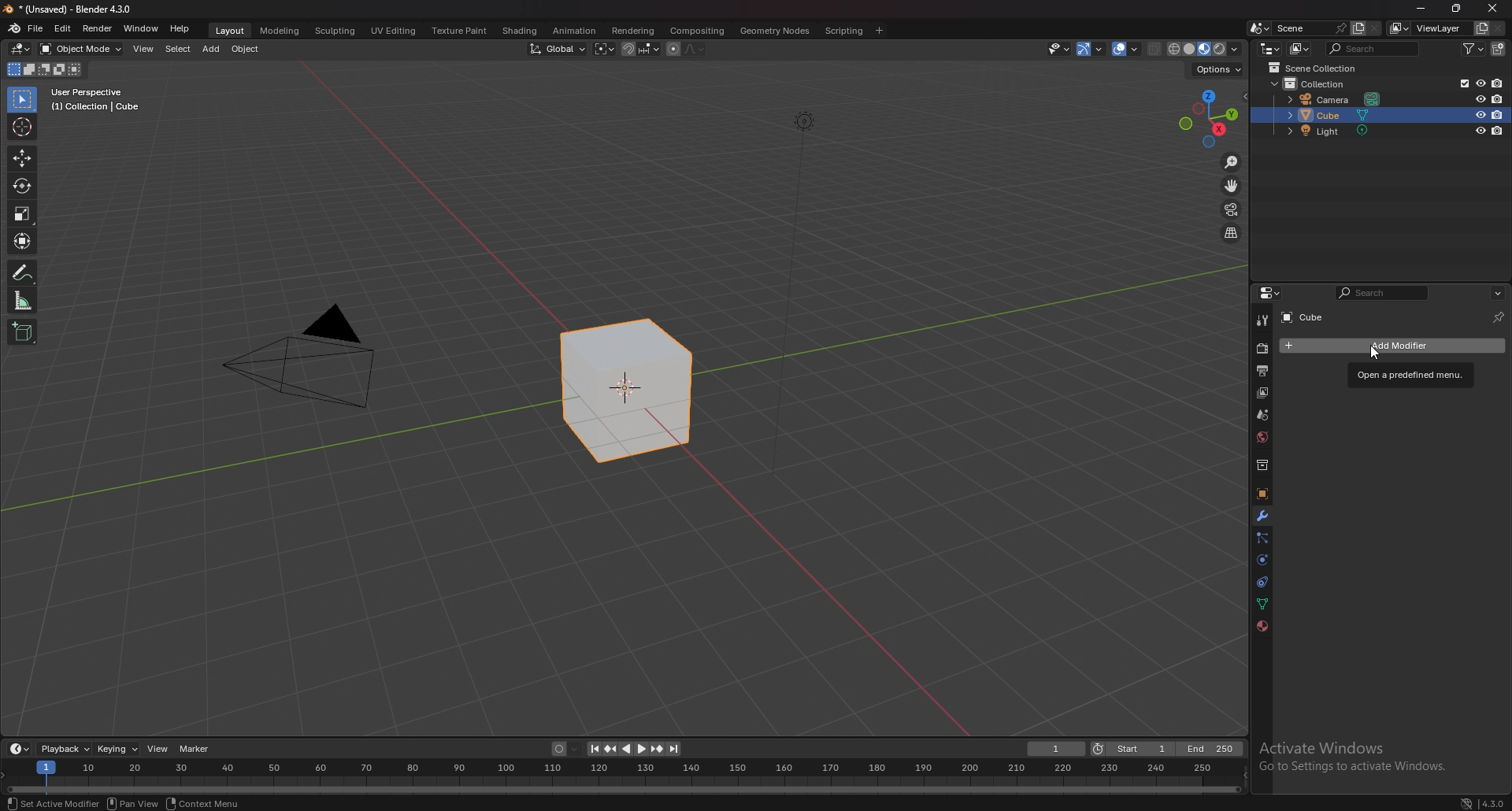 The width and height of the screenshot is (1512, 811). What do you see at coordinates (1381, 293) in the screenshot?
I see `search` at bounding box center [1381, 293].